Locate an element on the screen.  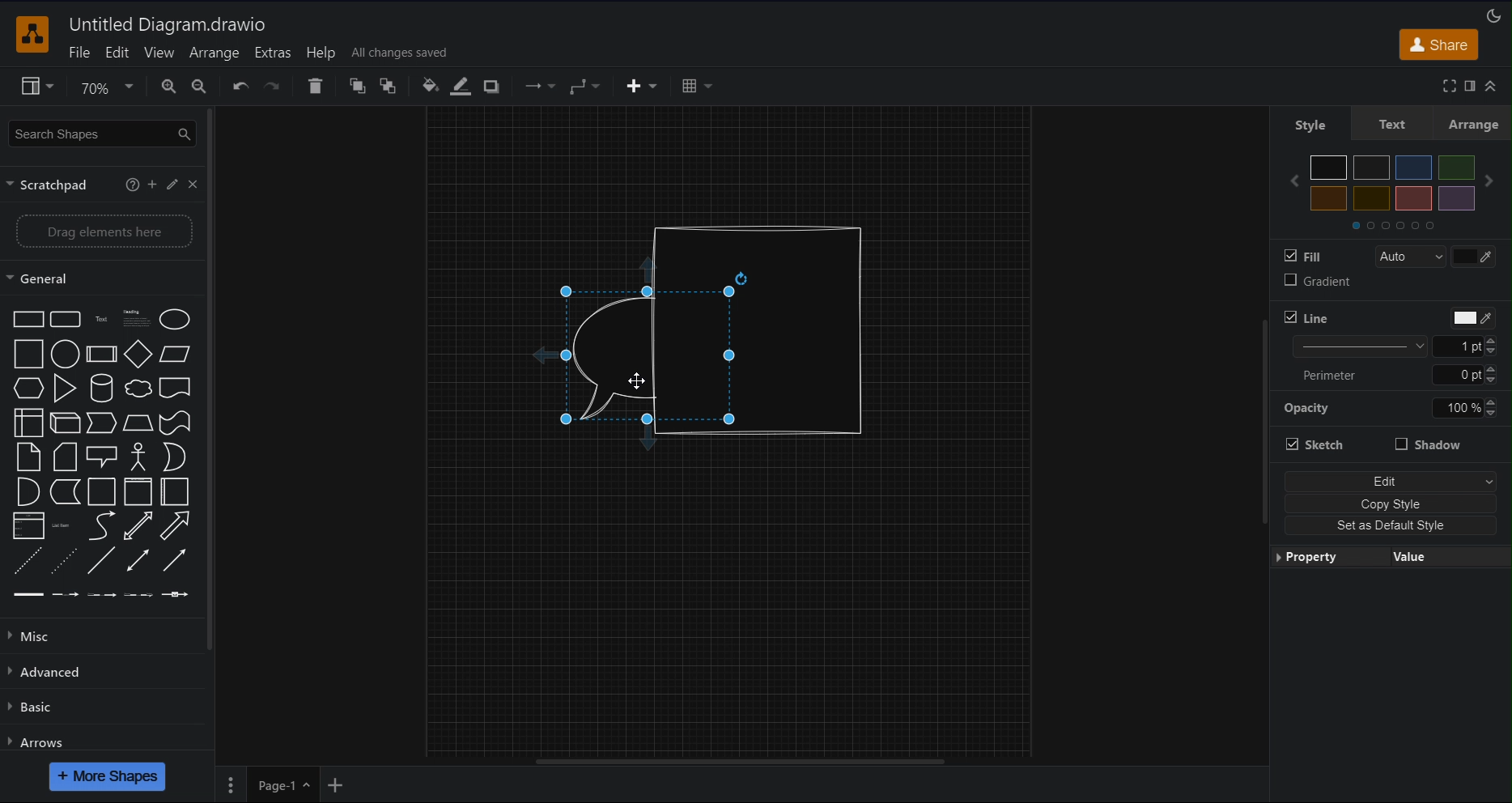
Table is located at coordinates (697, 86).